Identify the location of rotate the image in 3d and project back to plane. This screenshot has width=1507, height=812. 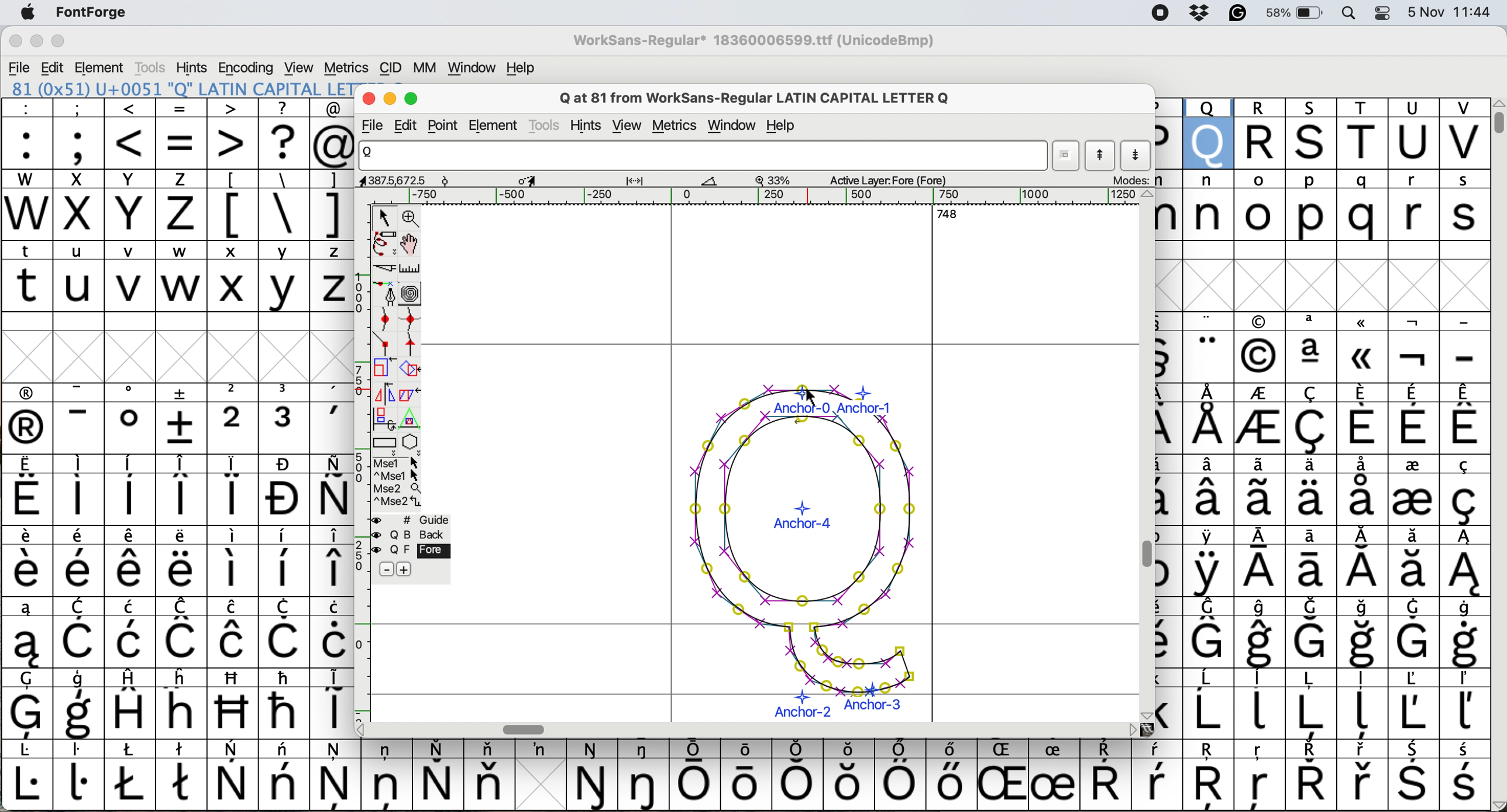
(383, 420).